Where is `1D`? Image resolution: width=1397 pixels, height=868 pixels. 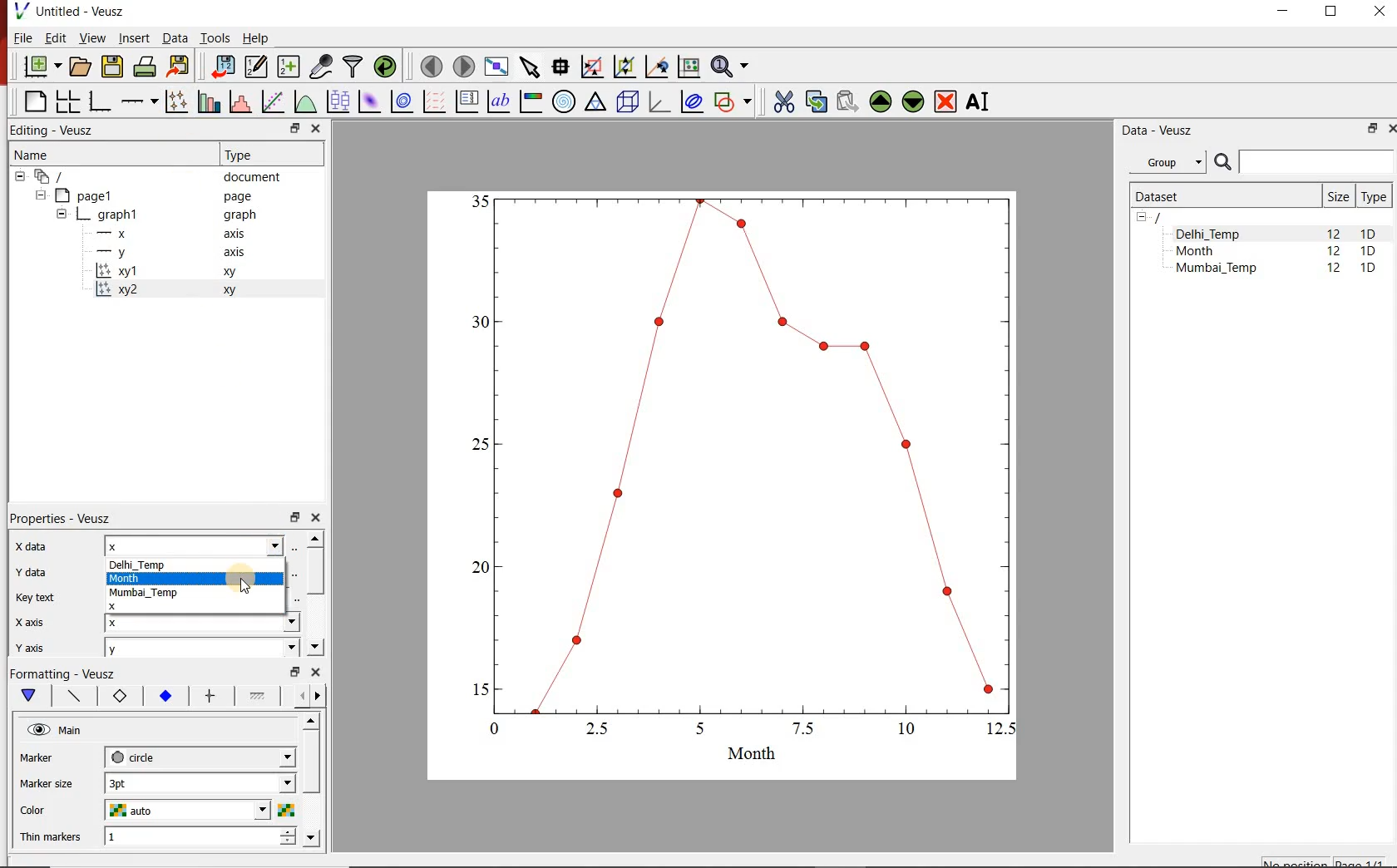
1D is located at coordinates (1369, 234).